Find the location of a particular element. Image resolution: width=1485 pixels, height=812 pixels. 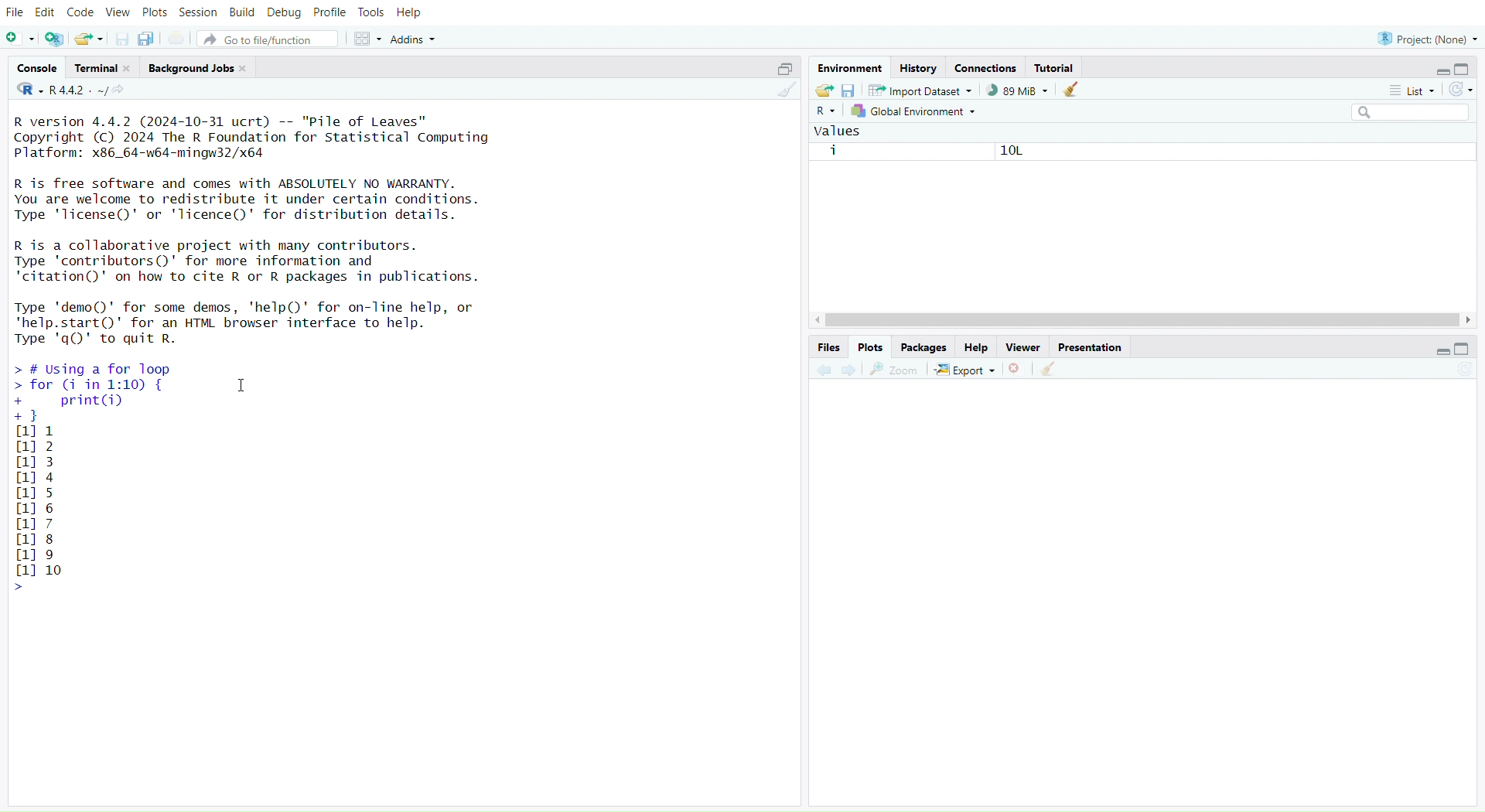

addins is located at coordinates (415, 39).